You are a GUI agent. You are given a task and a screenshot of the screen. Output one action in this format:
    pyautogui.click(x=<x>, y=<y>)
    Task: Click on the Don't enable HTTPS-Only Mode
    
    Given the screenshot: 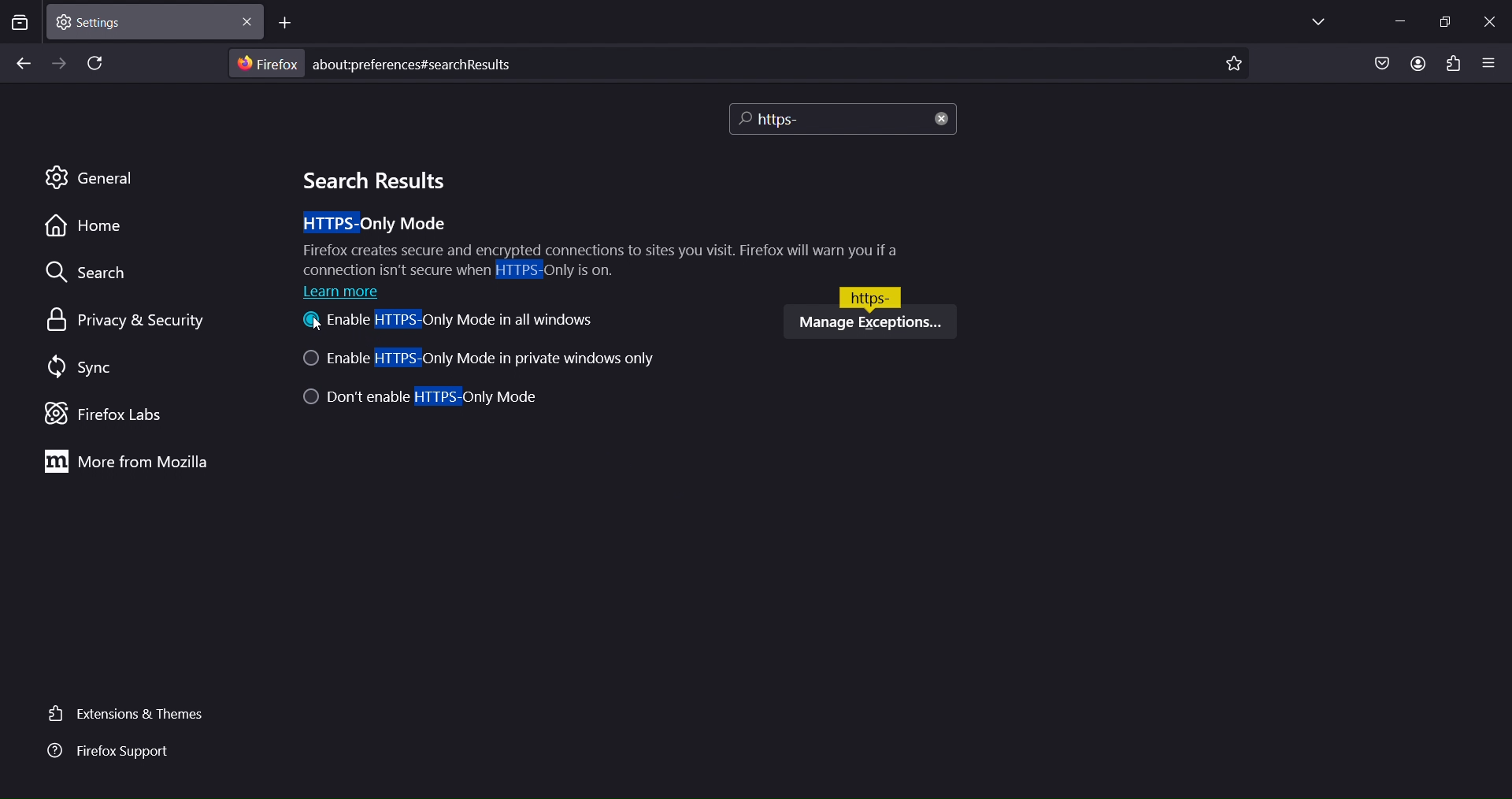 What is the action you would take?
    pyautogui.click(x=424, y=399)
    